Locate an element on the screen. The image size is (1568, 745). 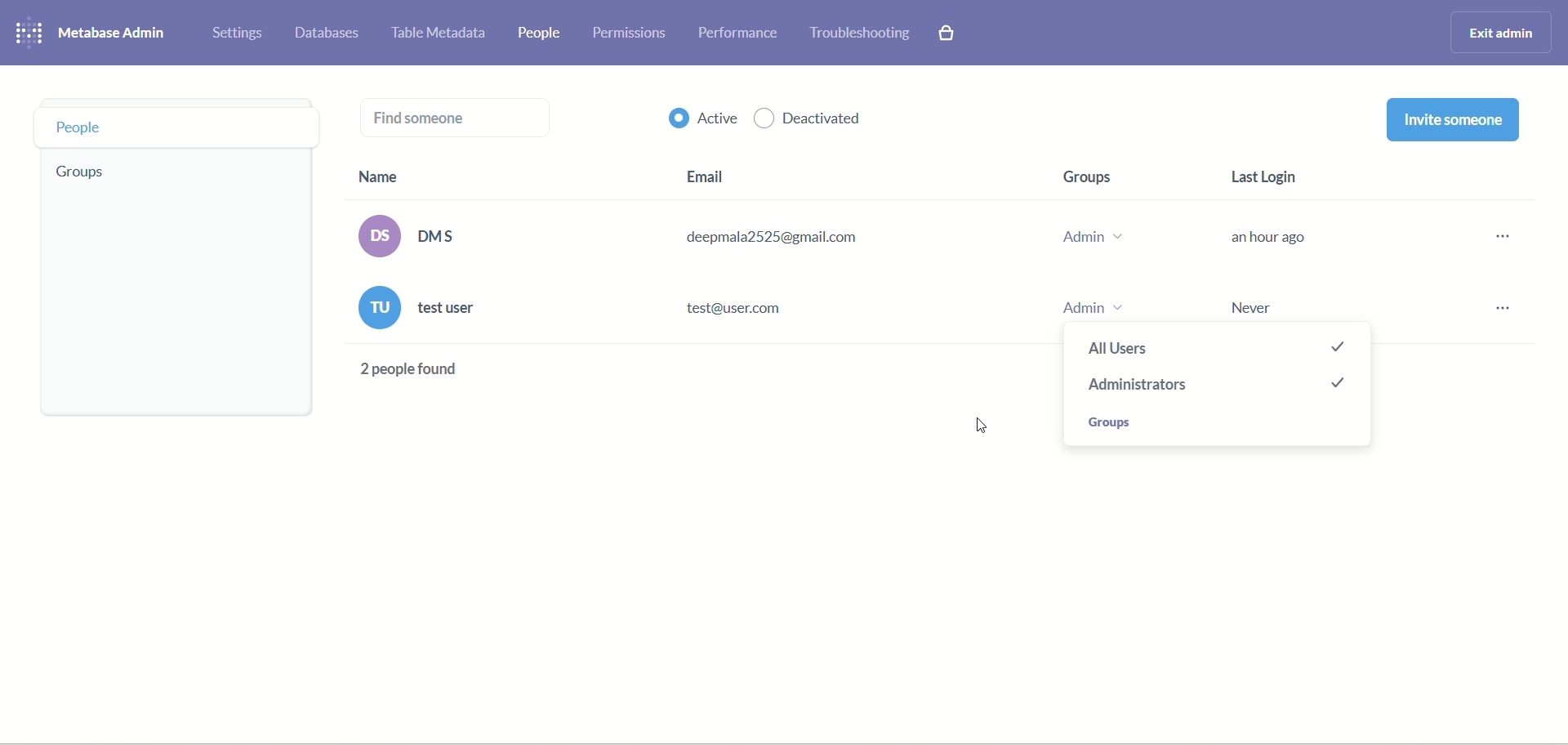
databases is located at coordinates (327, 33).